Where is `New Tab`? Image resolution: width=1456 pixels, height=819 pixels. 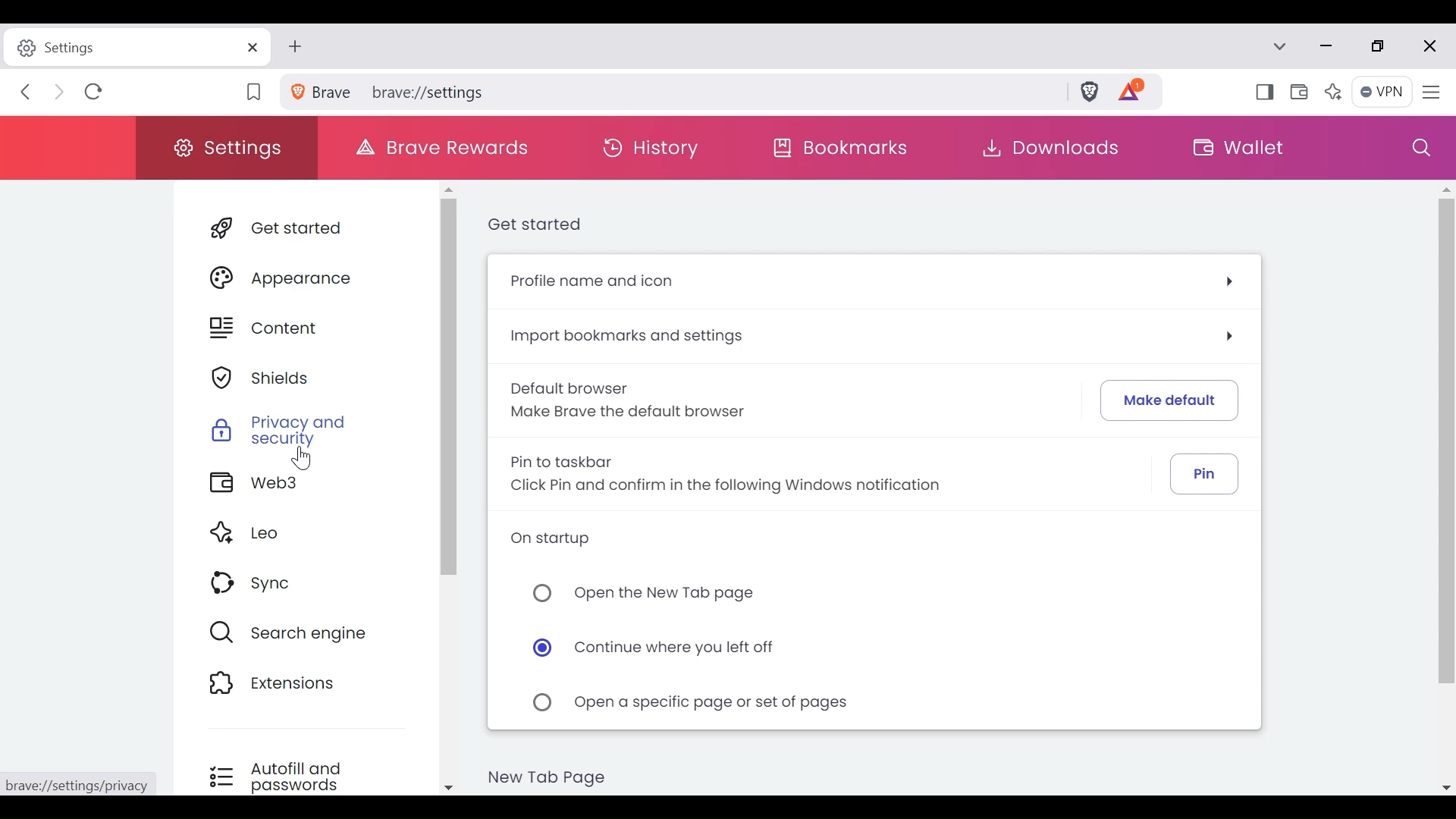 New Tab is located at coordinates (299, 48).